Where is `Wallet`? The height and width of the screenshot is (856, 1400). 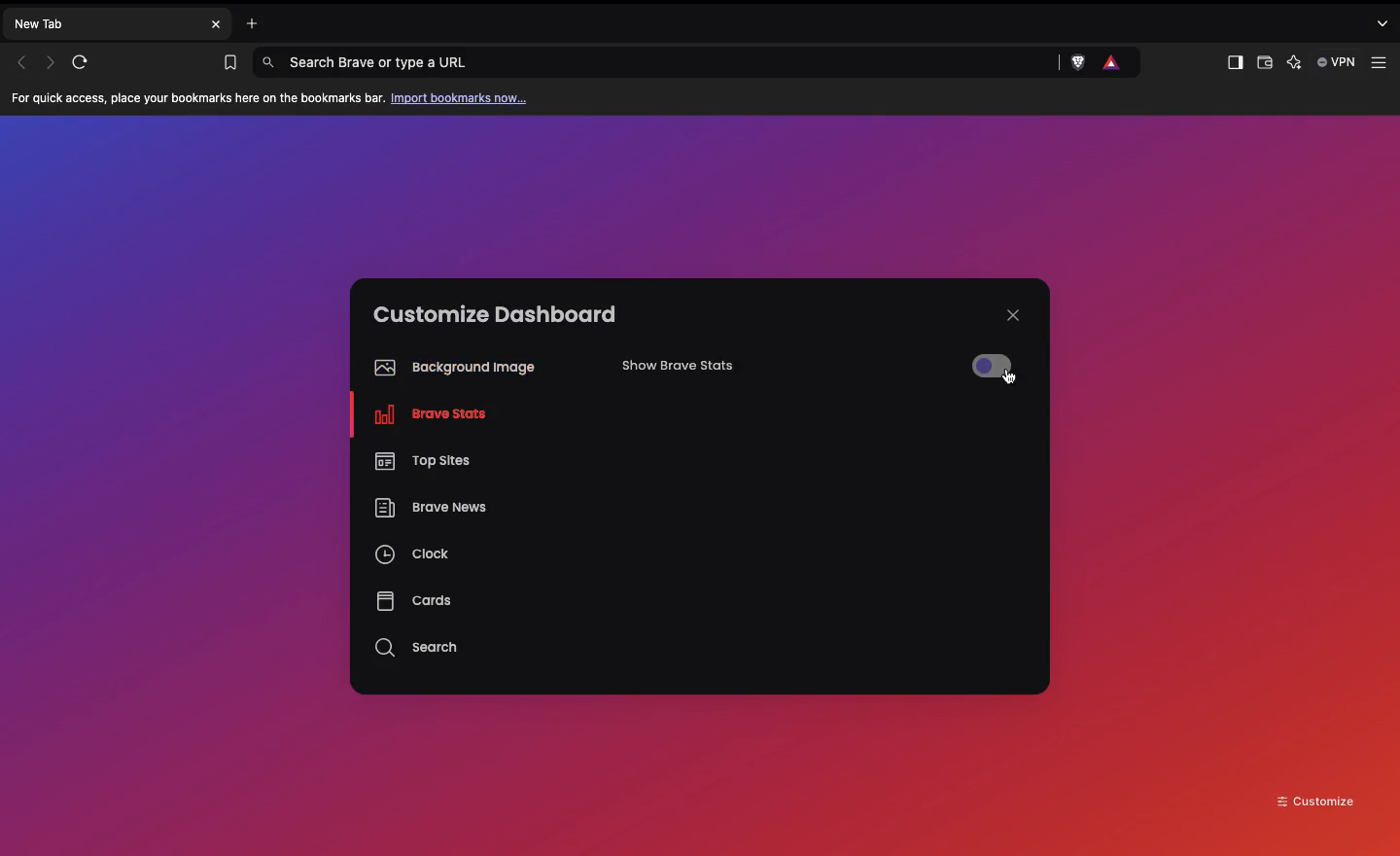
Wallet is located at coordinates (1263, 65).